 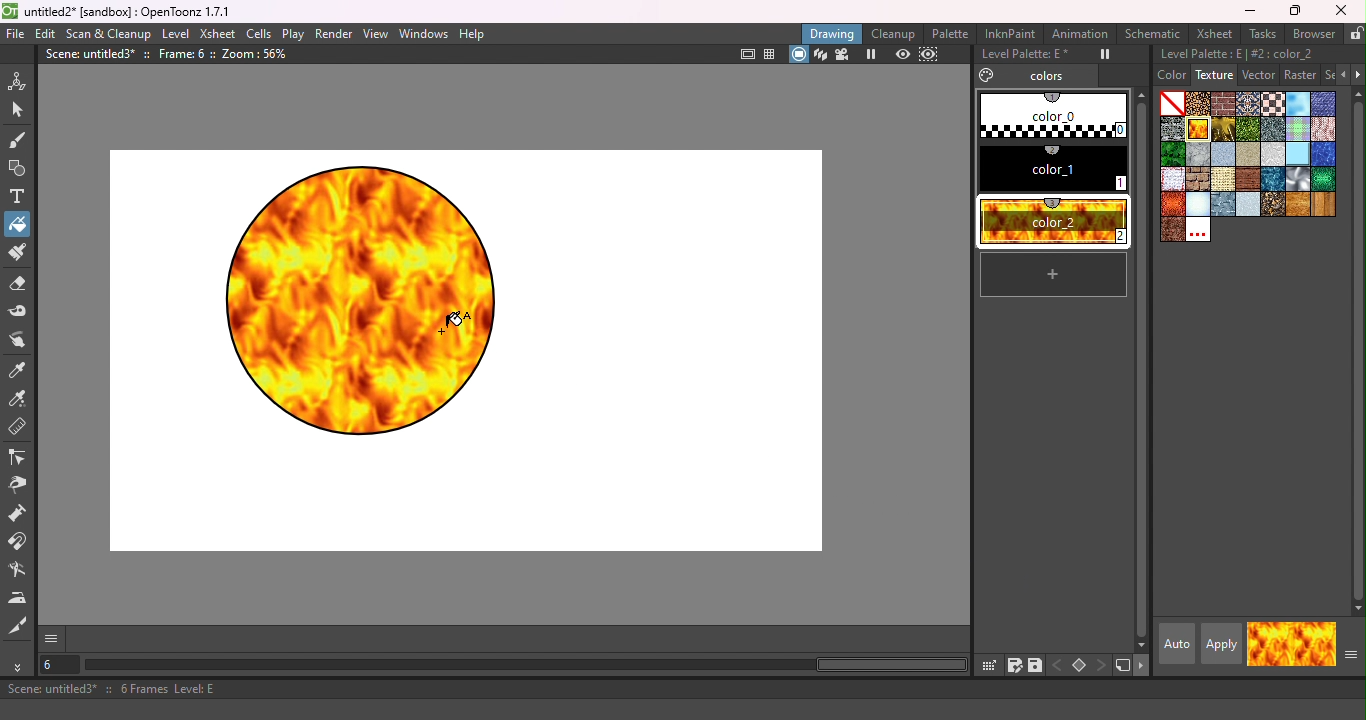 I want to click on wornleather.bmp, so click(x=1174, y=231).